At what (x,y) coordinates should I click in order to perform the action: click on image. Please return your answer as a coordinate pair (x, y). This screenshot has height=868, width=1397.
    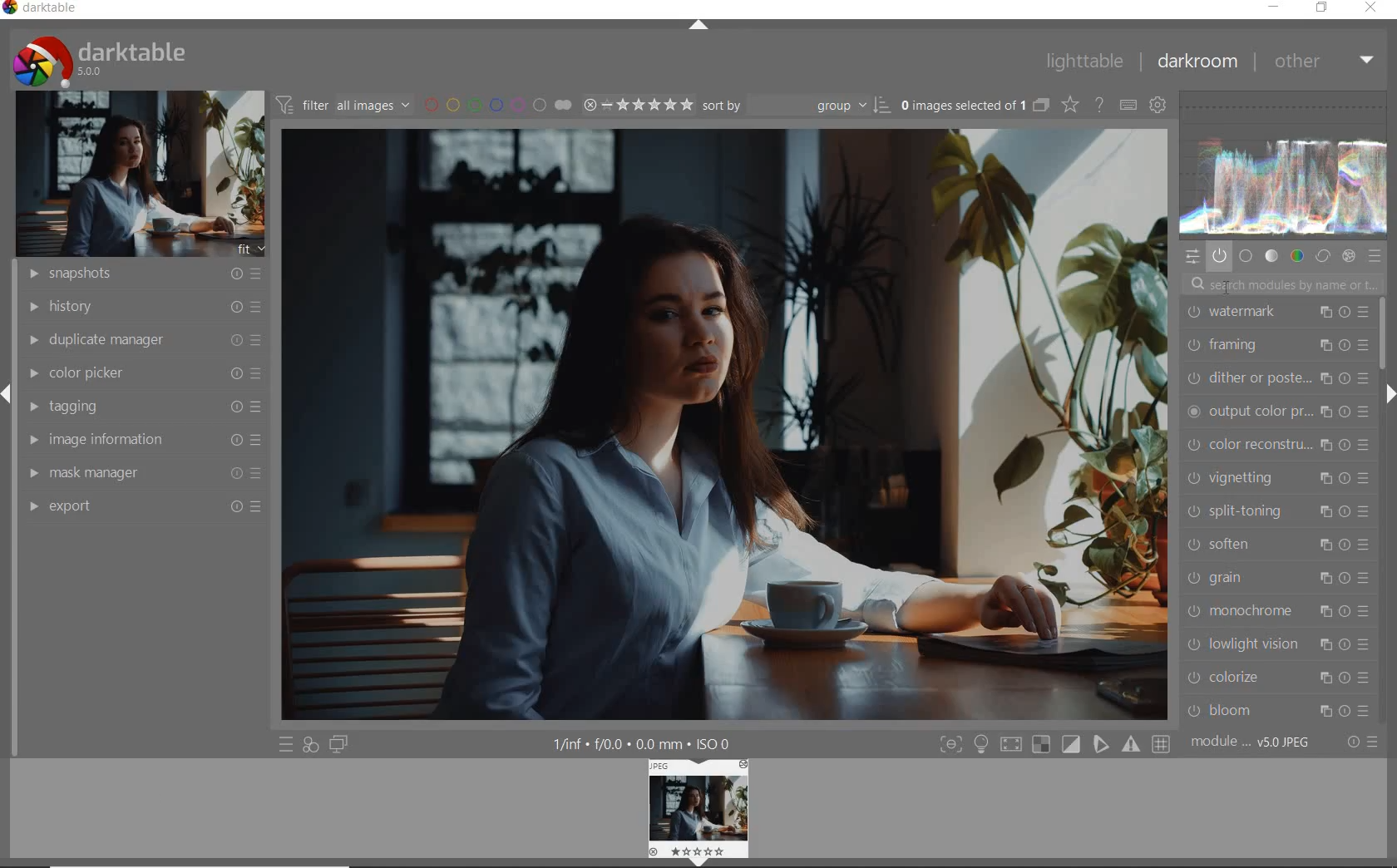
    Looking at the image, I should click on (134, 175).